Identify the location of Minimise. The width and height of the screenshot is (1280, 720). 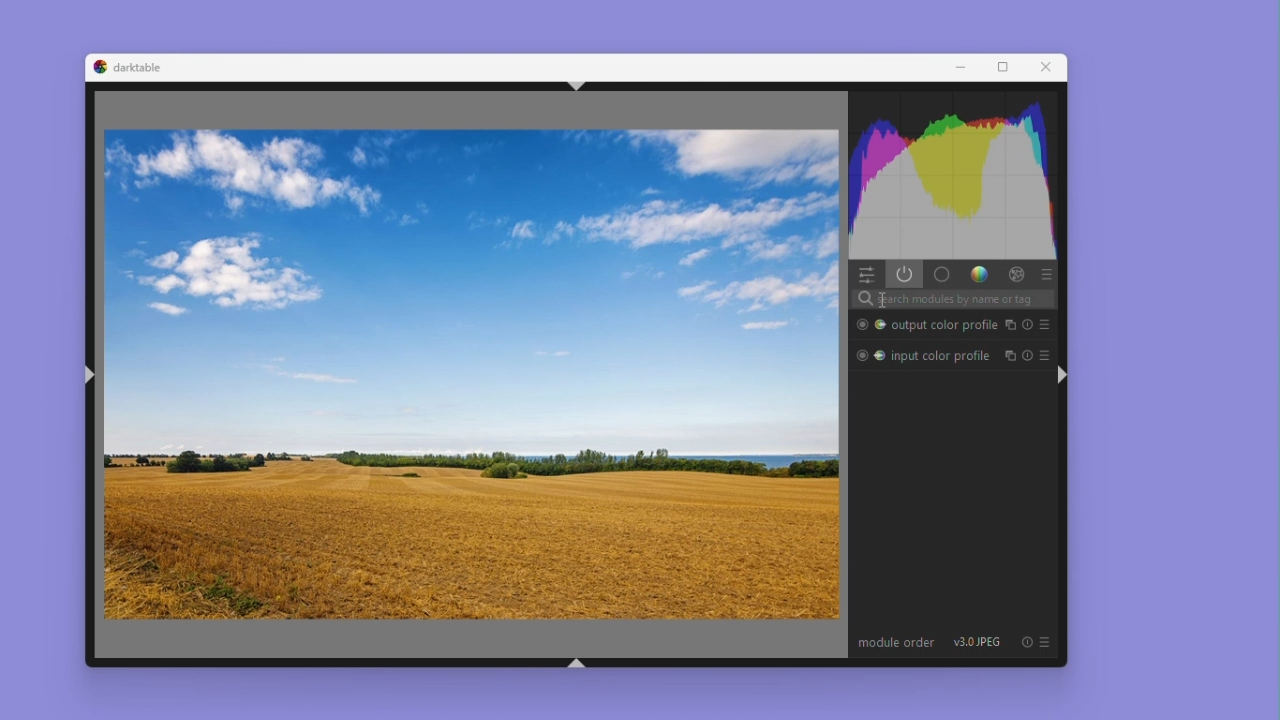
(969, 68).